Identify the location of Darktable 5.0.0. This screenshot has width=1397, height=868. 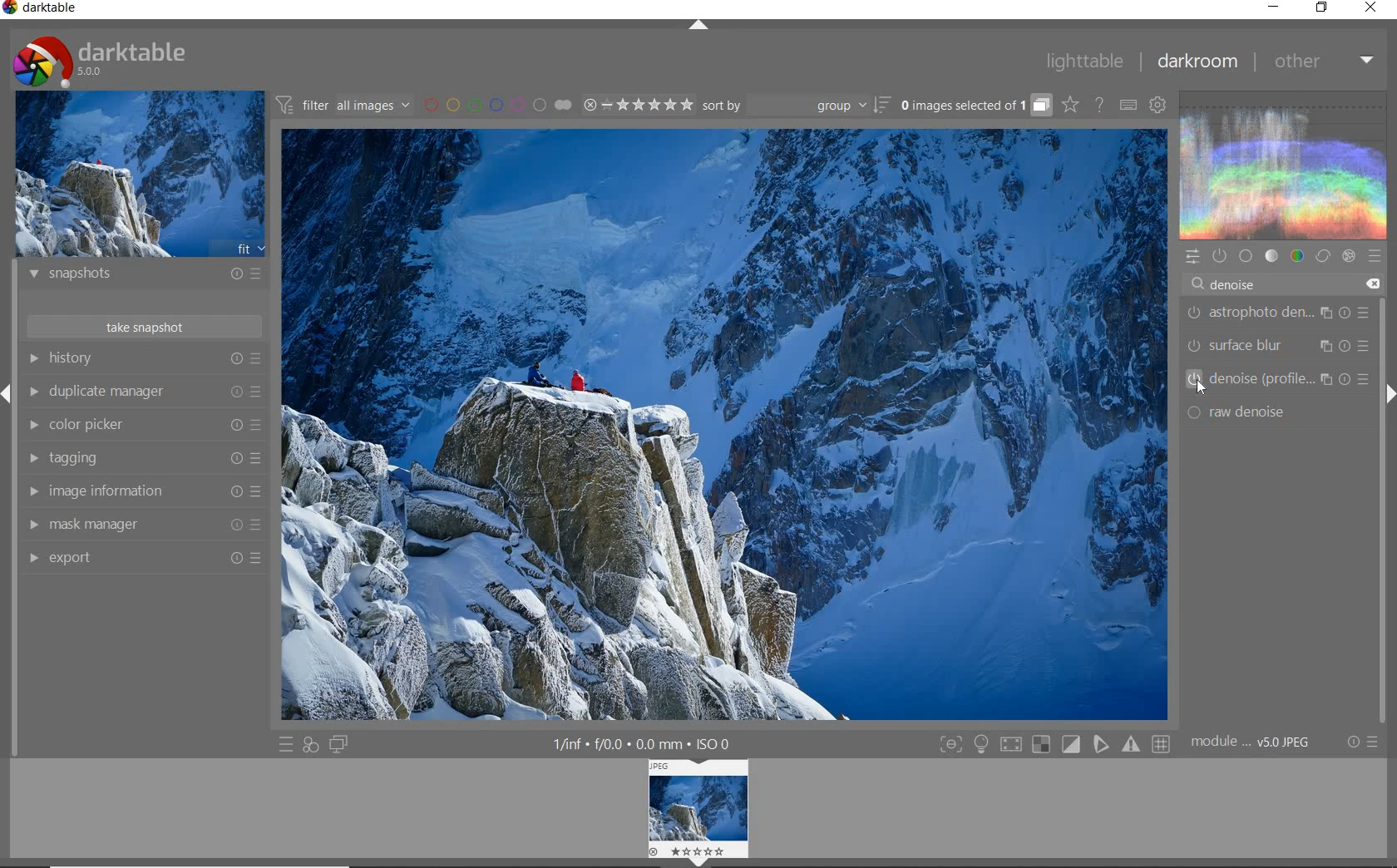
(100, 62).